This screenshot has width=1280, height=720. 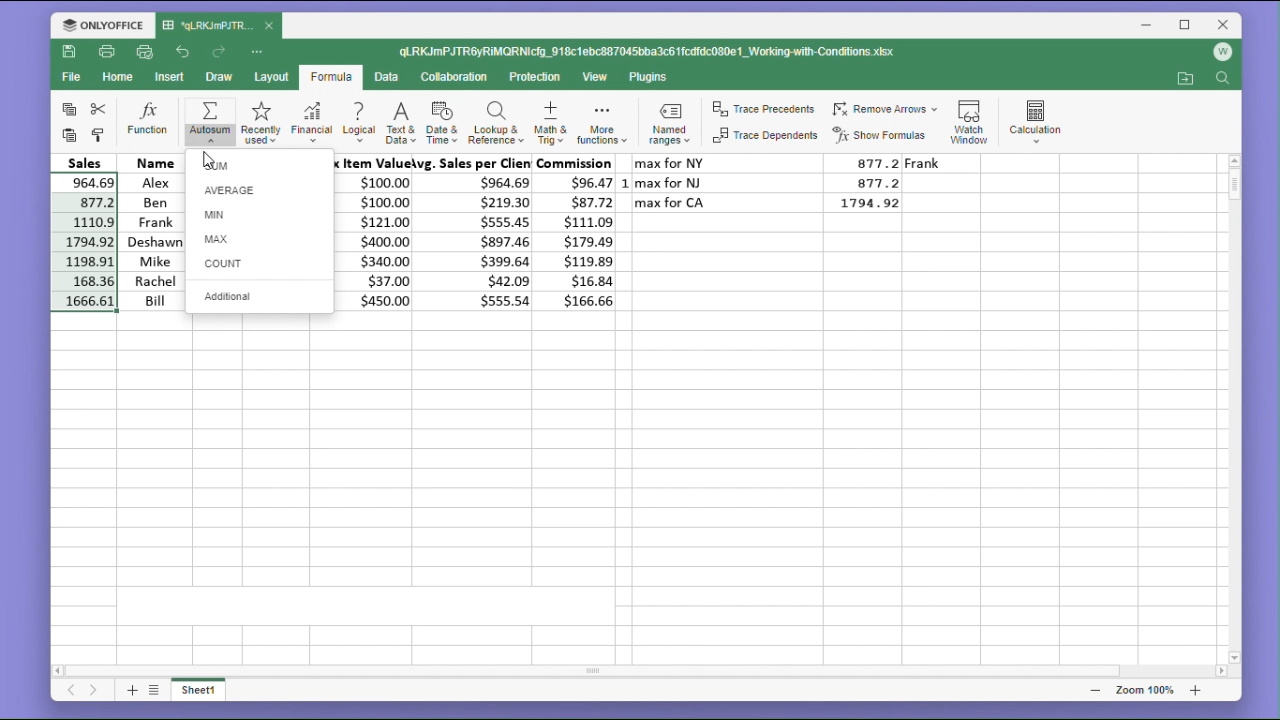 I want to click on date & time, so click(x=443, y=124).